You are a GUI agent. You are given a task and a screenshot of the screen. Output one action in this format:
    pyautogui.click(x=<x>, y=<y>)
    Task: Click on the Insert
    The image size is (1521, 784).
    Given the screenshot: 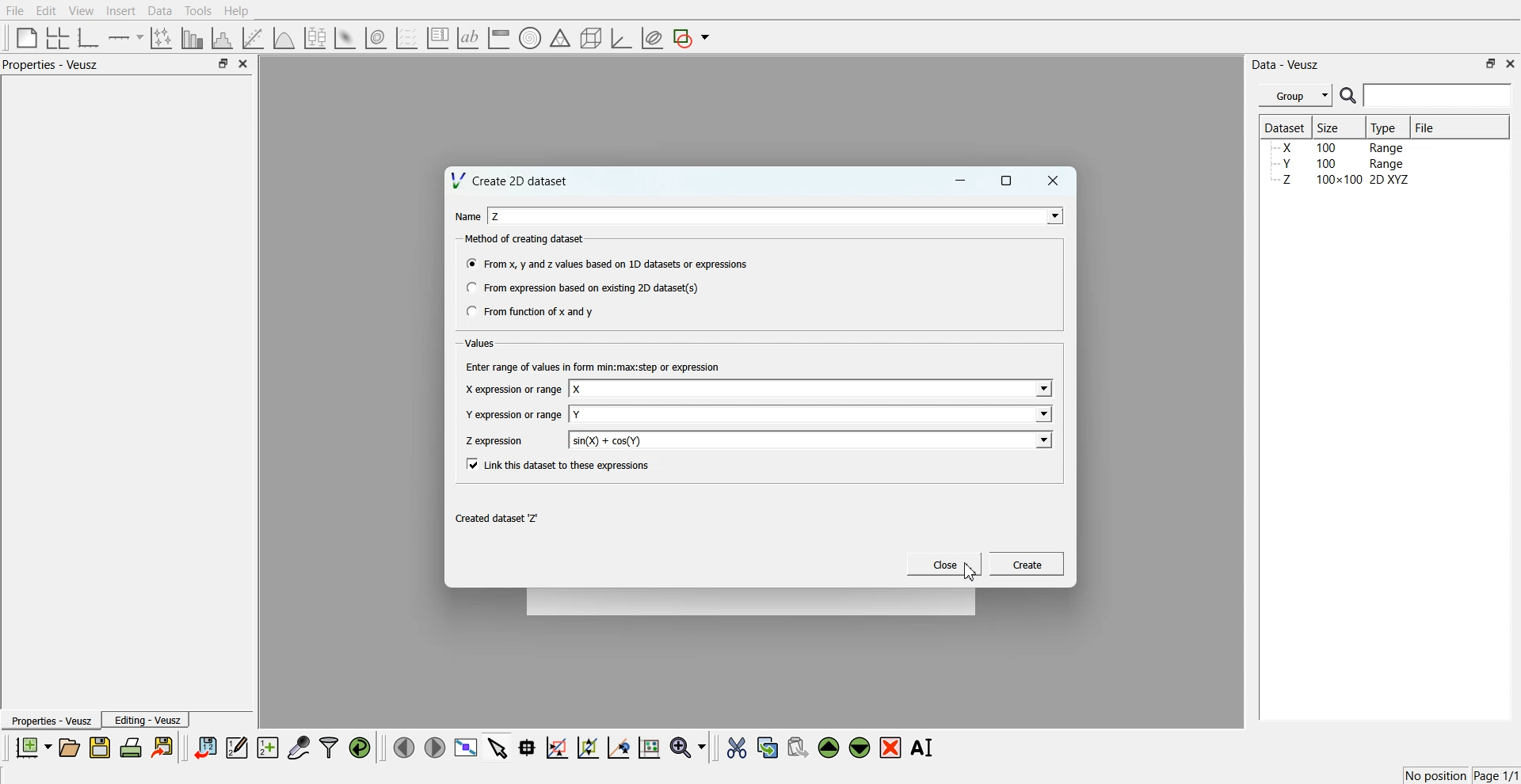 What is the action you would take?
    pyautogui.click(x=120, y=10)
    